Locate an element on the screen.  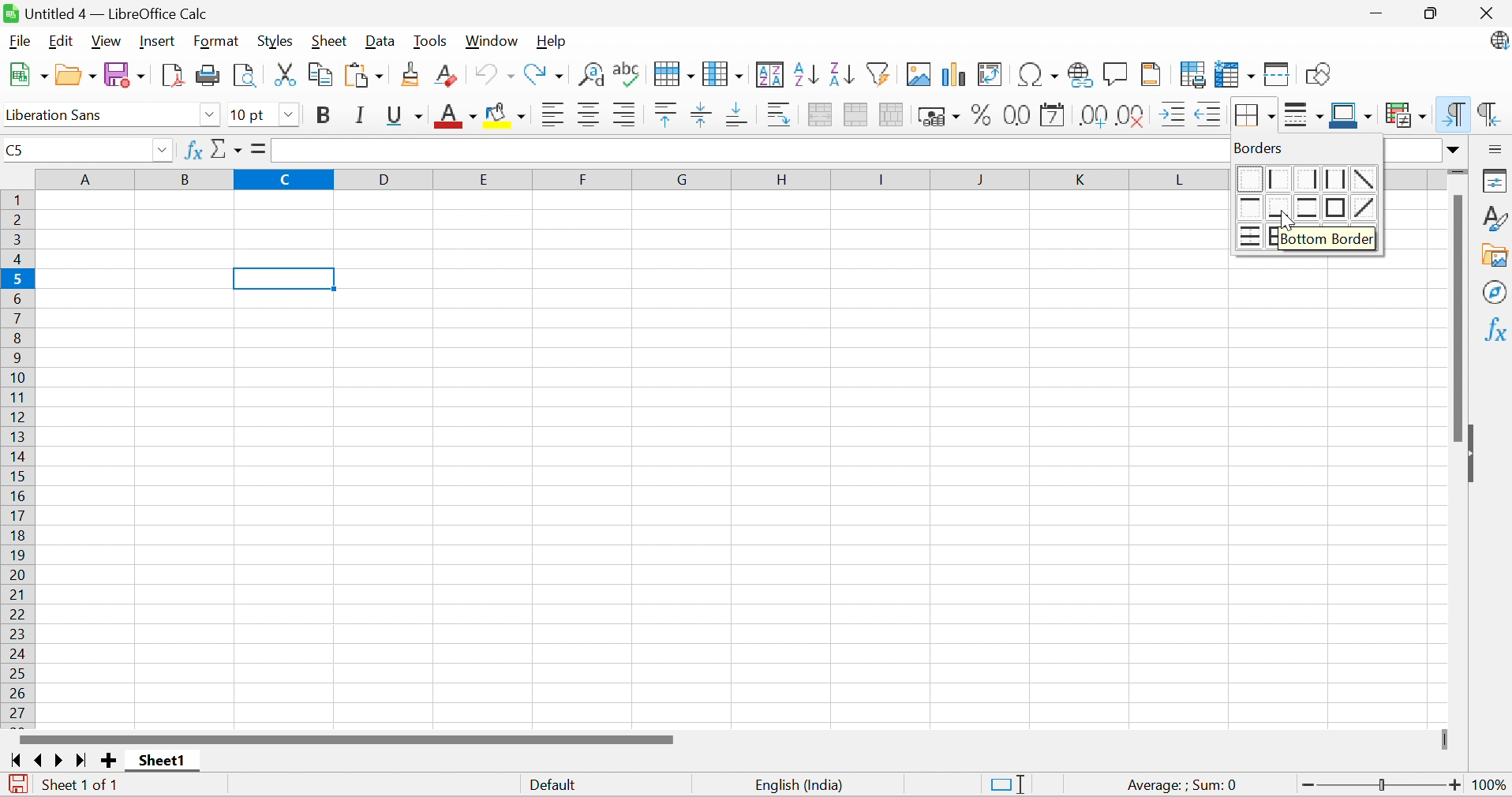
Export as PDF is located at coordinates (174, 75).